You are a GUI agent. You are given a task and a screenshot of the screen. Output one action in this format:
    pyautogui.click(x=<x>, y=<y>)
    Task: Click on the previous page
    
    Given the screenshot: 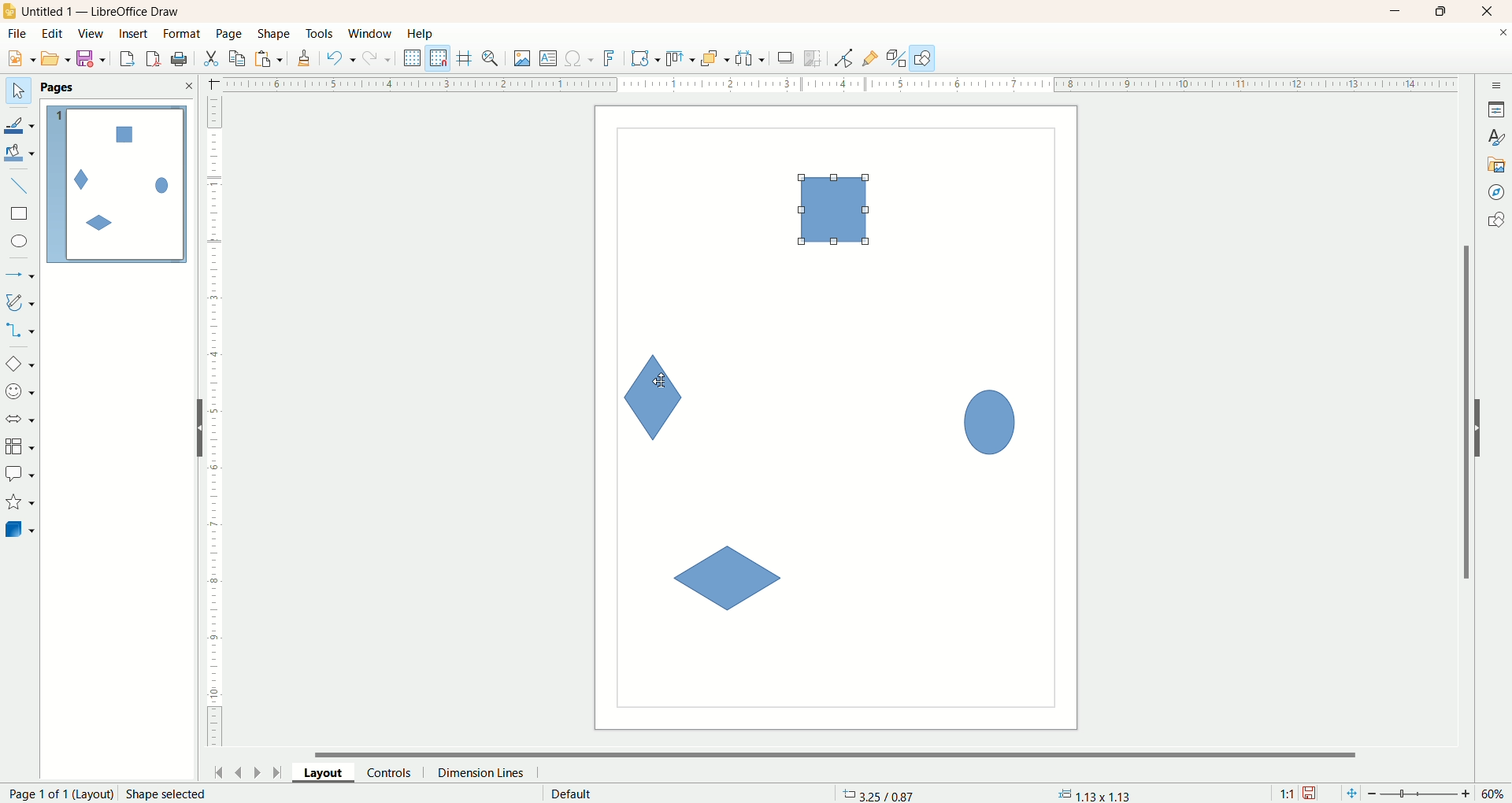 What is the action you would take?
    pyautogui.click(x=237, y=771)
    